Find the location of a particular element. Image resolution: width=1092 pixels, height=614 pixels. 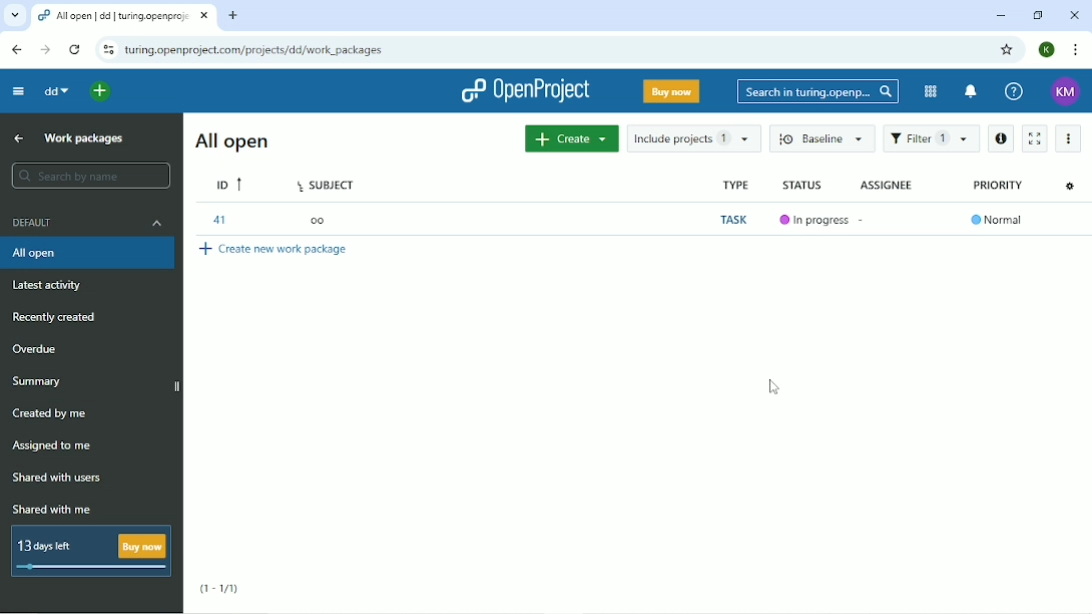

Search by name is located at coordinates (94, 176).